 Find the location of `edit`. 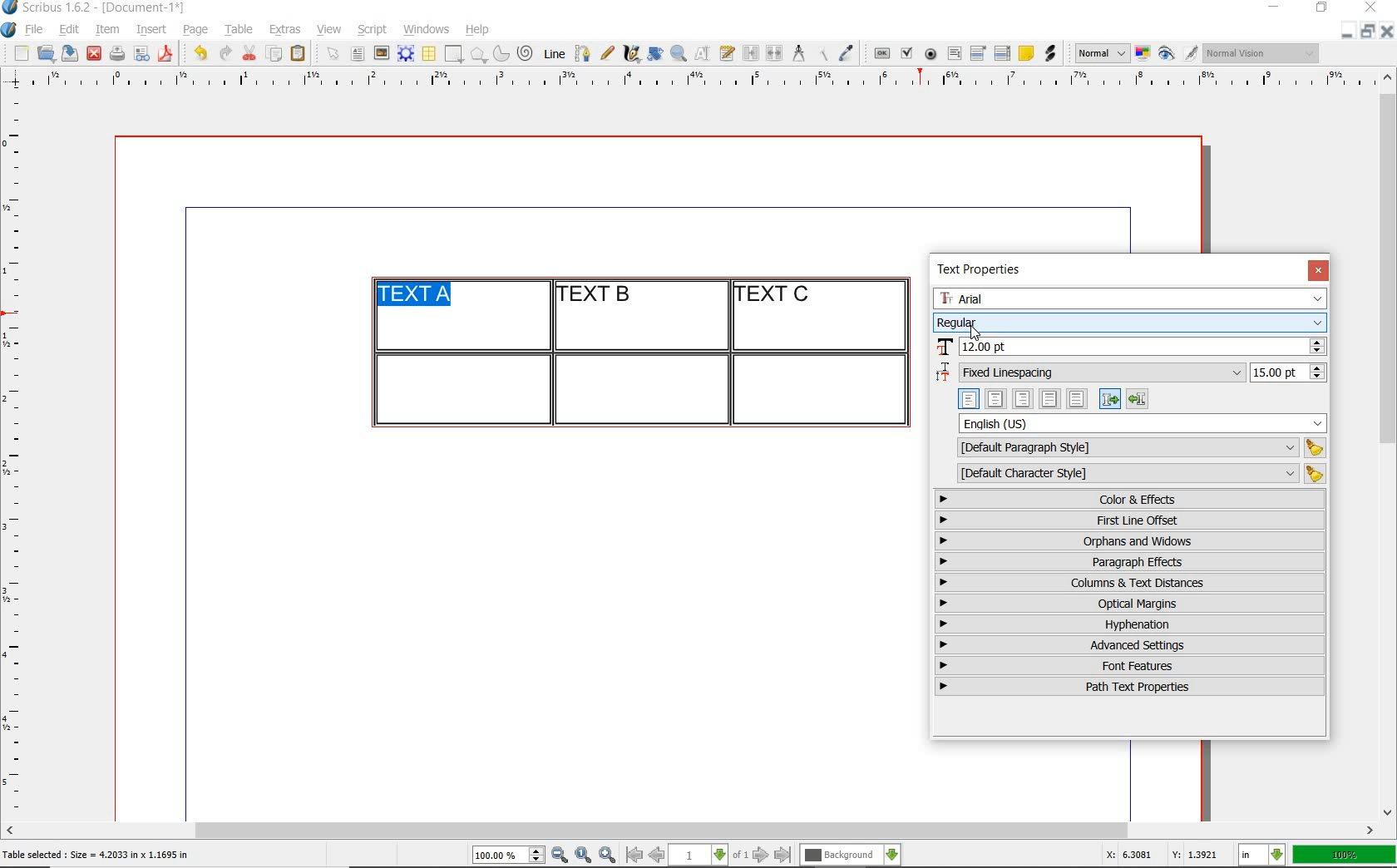

edit is located at coordinates (70, 29).